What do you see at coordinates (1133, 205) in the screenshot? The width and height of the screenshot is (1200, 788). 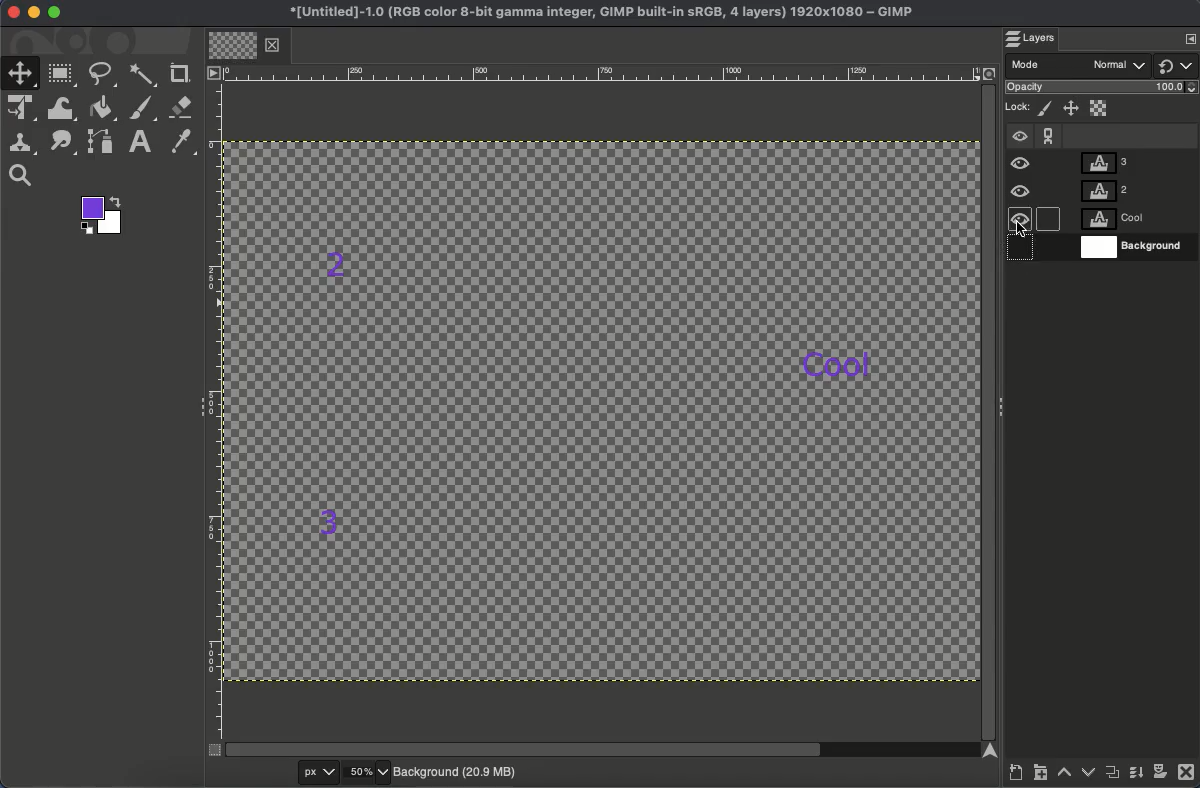 I see `Layers` at bounding box center [1133, 205].